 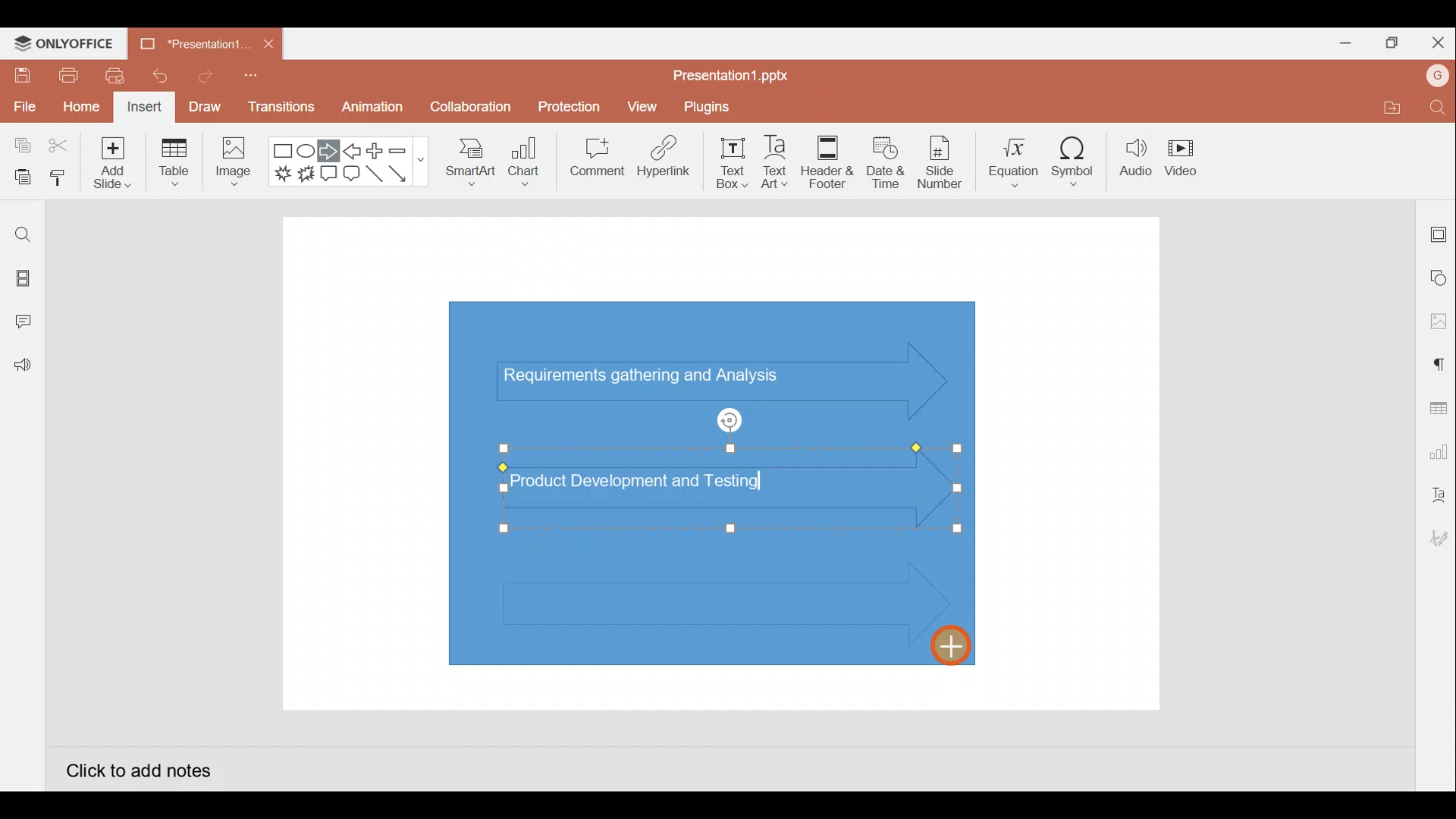 I want to click on Redo, so click(x=199, y=75).